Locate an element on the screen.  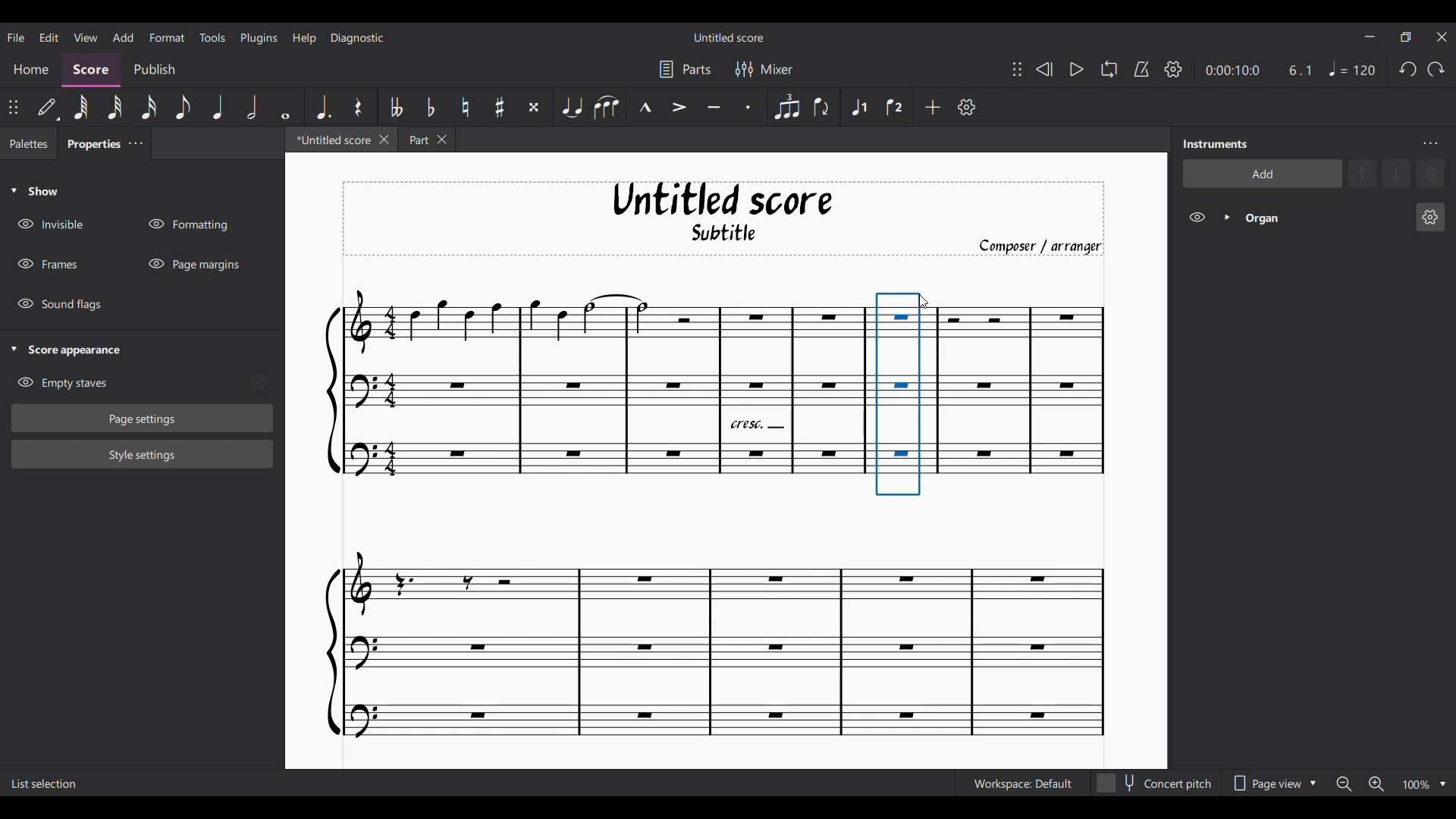
Help menu is located at coordinates (303, 38).